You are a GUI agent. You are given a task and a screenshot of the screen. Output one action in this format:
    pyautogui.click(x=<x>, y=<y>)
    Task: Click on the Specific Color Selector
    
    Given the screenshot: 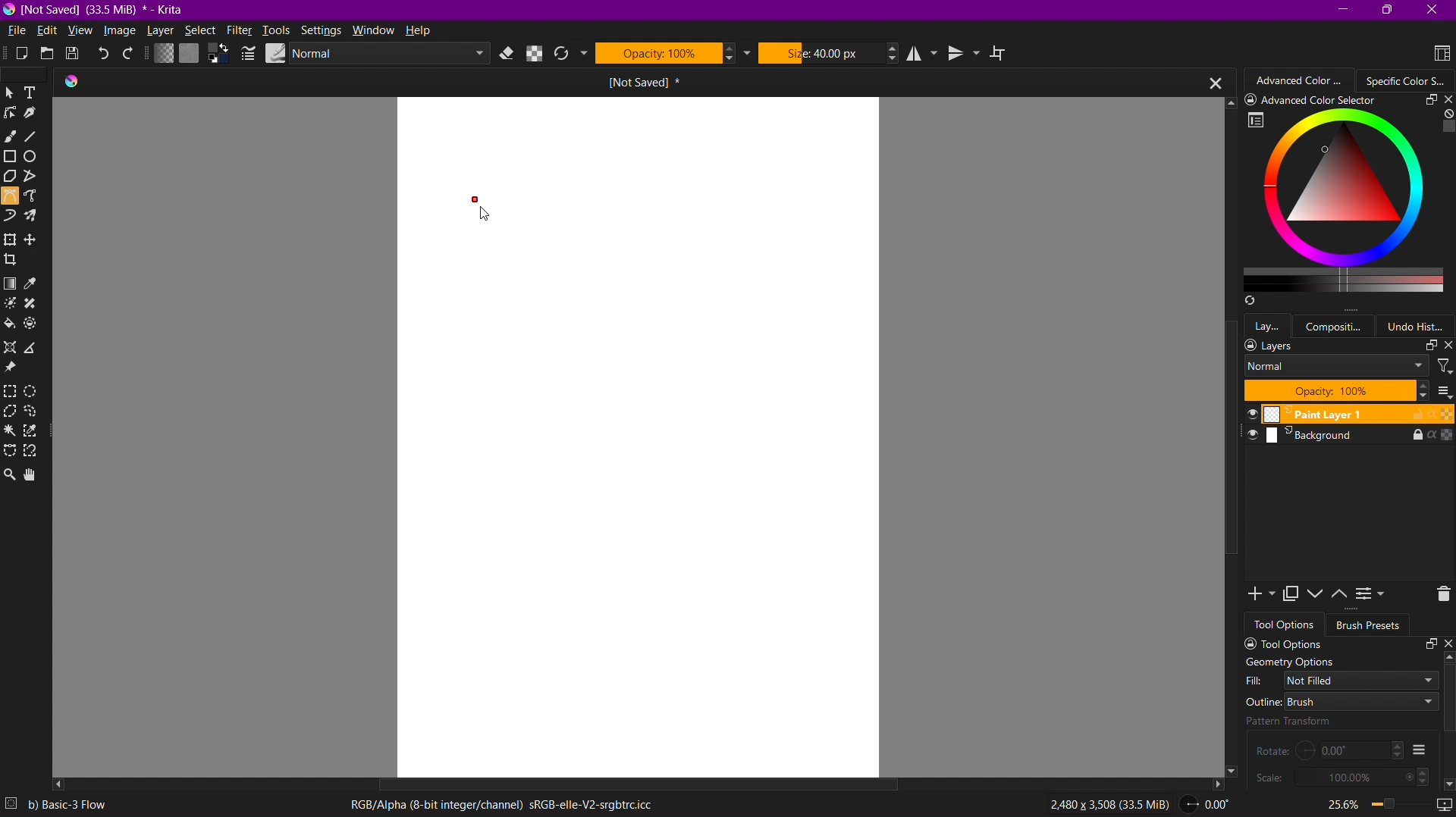 What is the action you would take?
    pyautogui.click(x=1346, y=202)
    